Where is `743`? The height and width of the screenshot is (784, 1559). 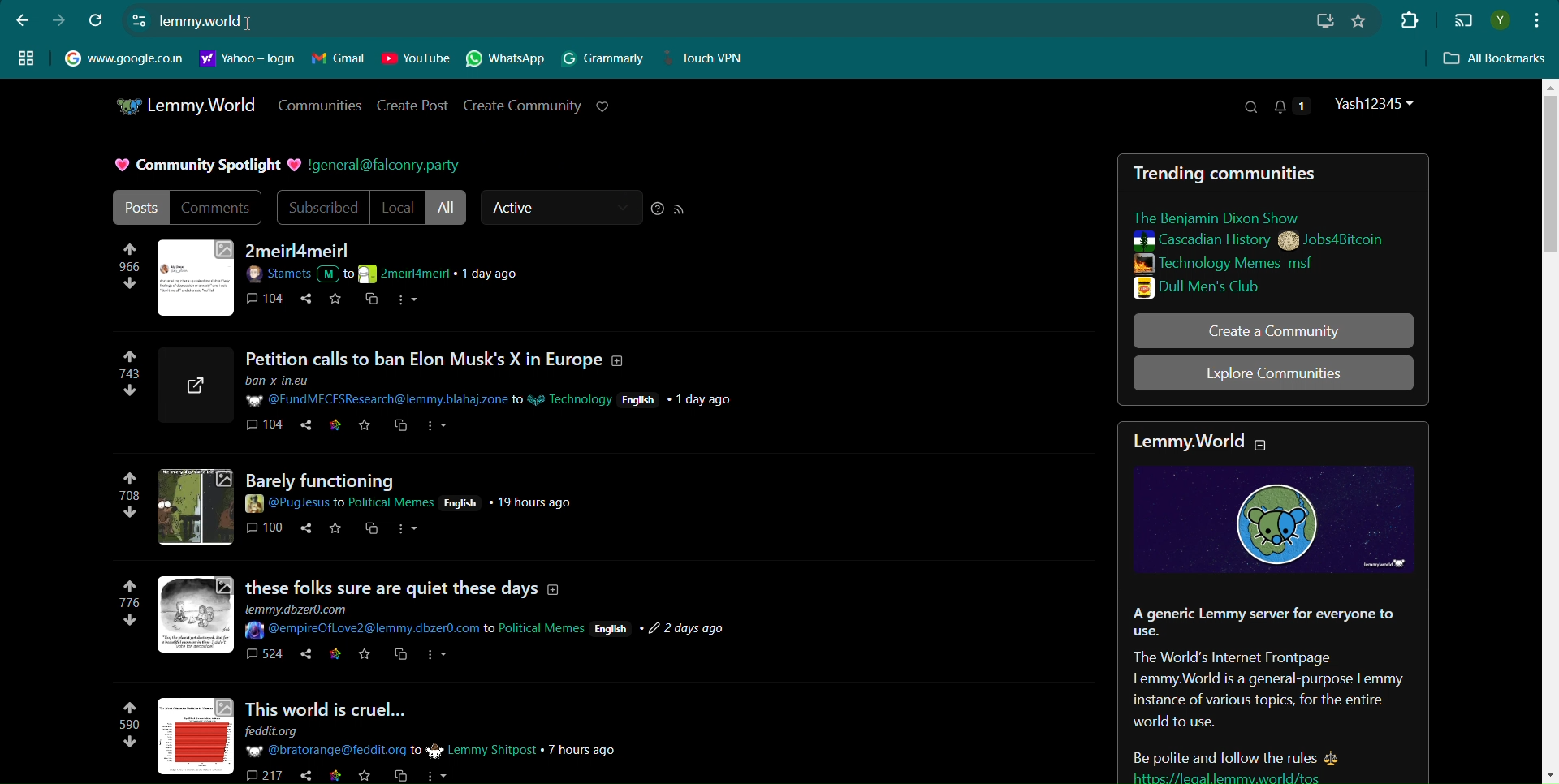 743 is located at coordinates (123, 381).